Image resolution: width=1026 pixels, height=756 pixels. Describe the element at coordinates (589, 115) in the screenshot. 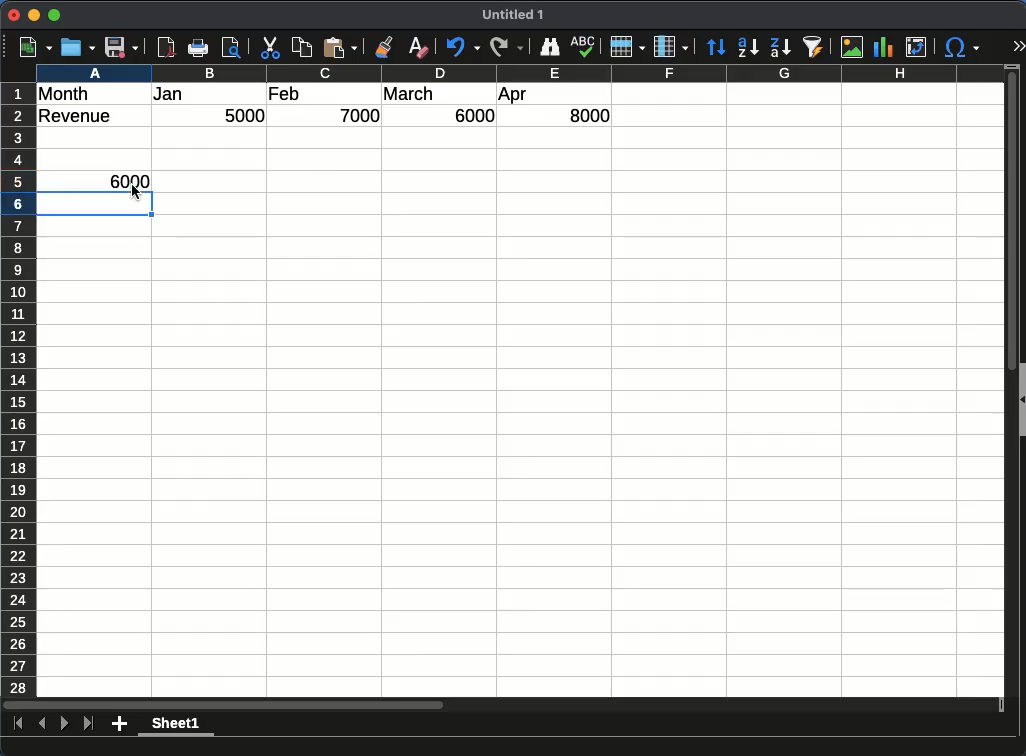

I see `8000` at that location.